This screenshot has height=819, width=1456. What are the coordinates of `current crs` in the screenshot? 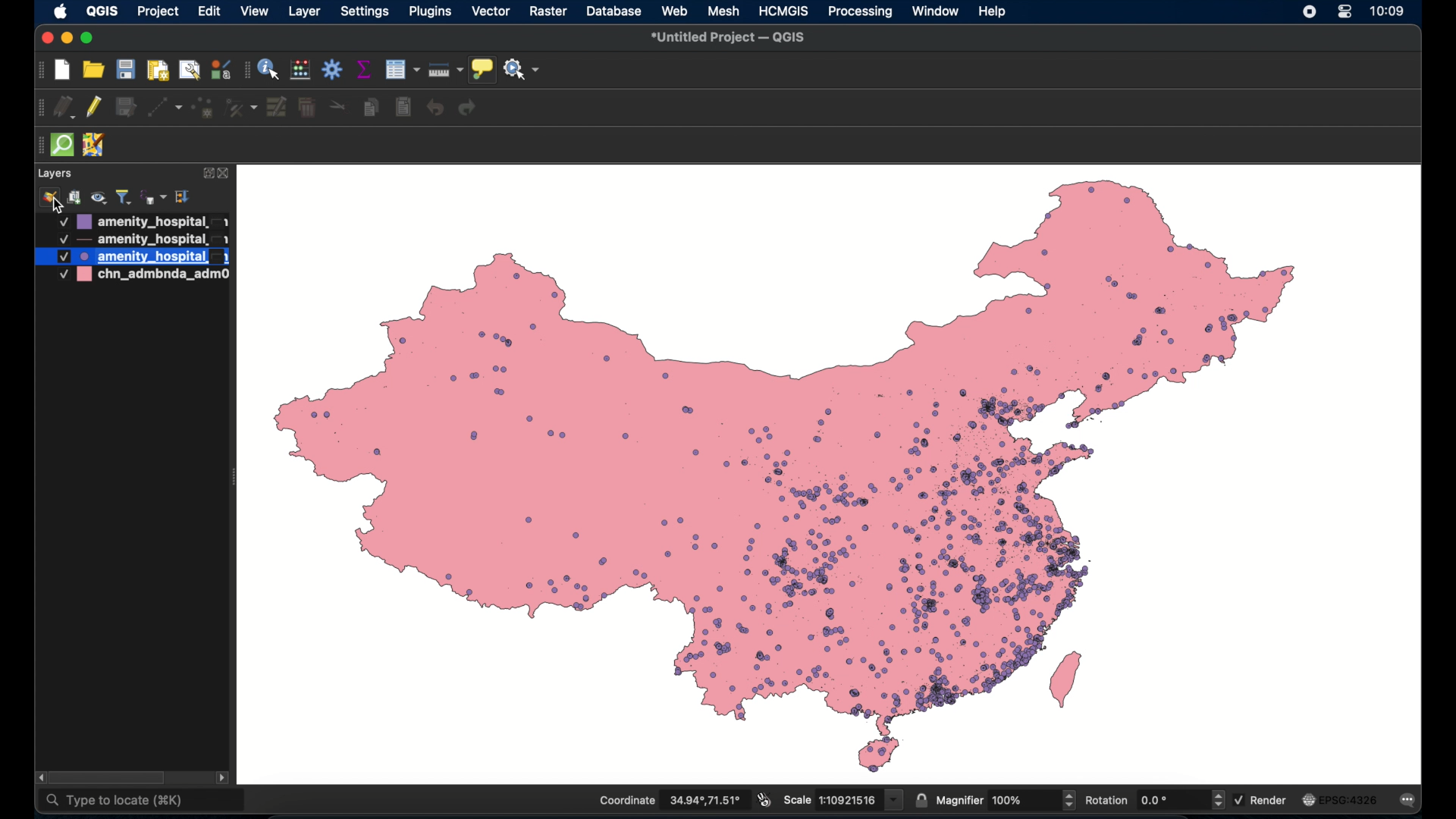 It's located at (1338, 800).